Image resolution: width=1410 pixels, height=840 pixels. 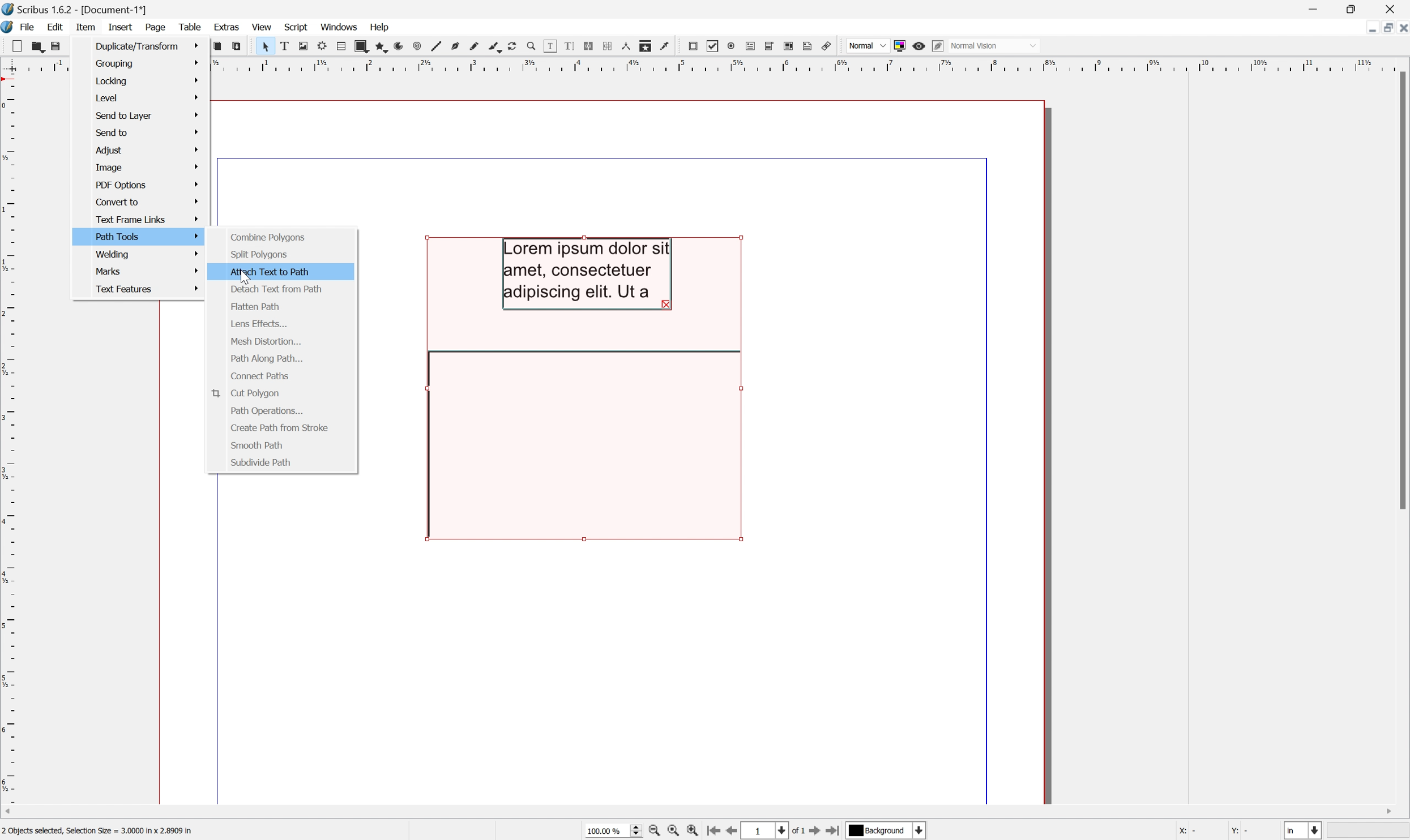 I want to click on Close, so click(x=1401, y=27).